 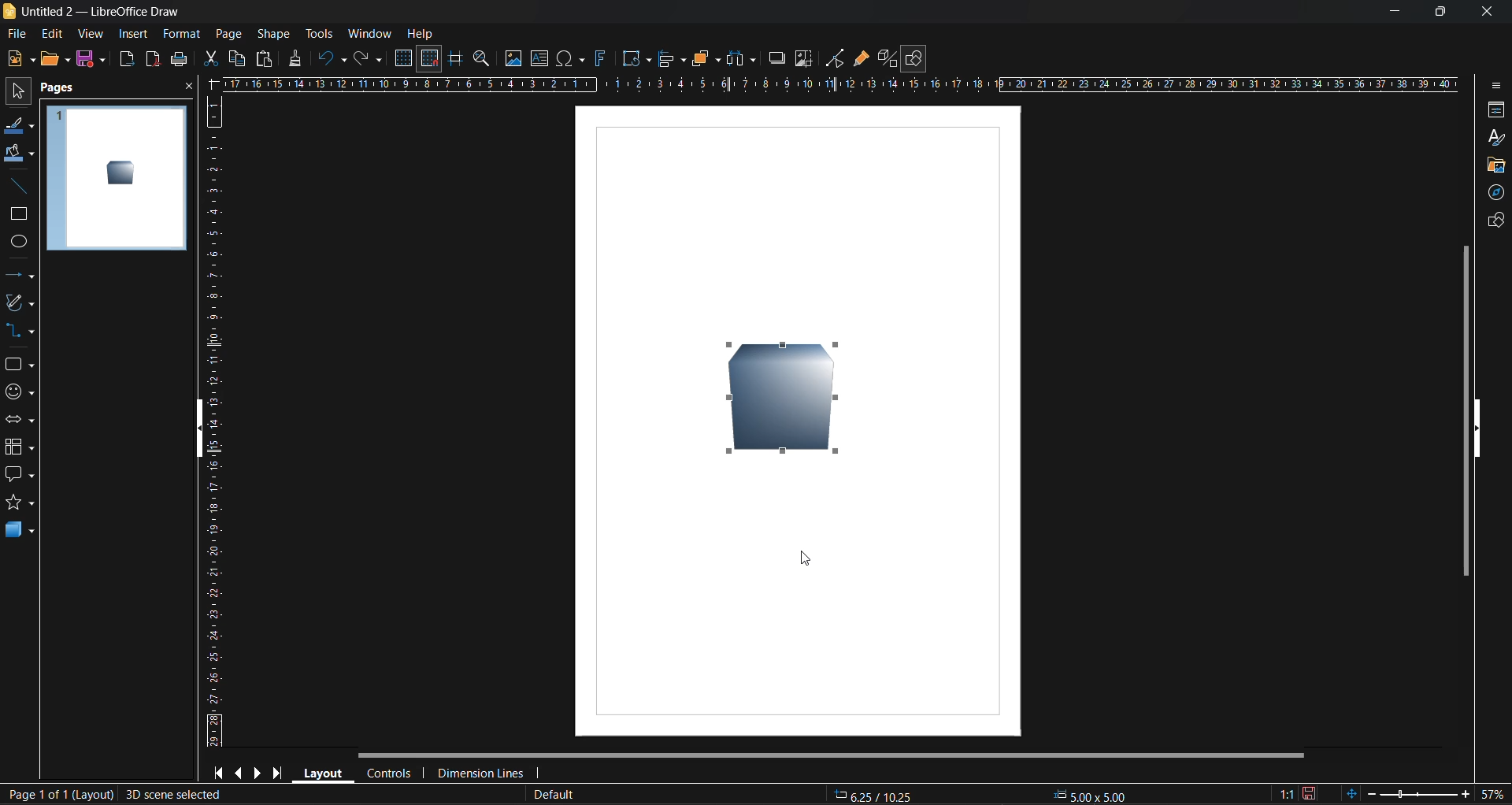 What do you see at coordinates (20, 476) in the screenshot?
I see `callout shapes` at bounding box center [20, 476].